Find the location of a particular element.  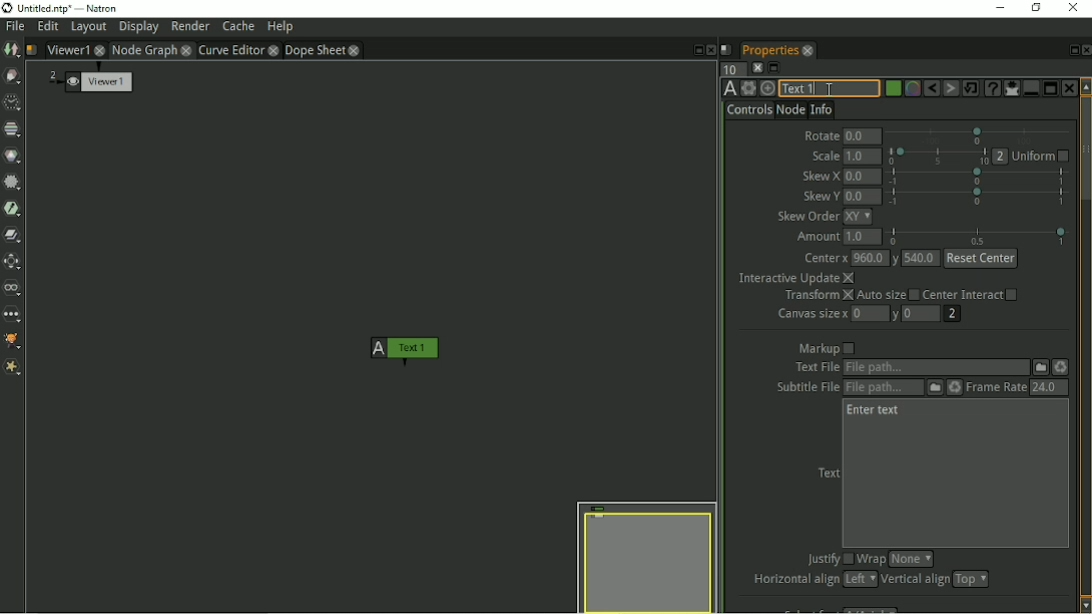

Separate panel  is located at coordinates (1051, 86).